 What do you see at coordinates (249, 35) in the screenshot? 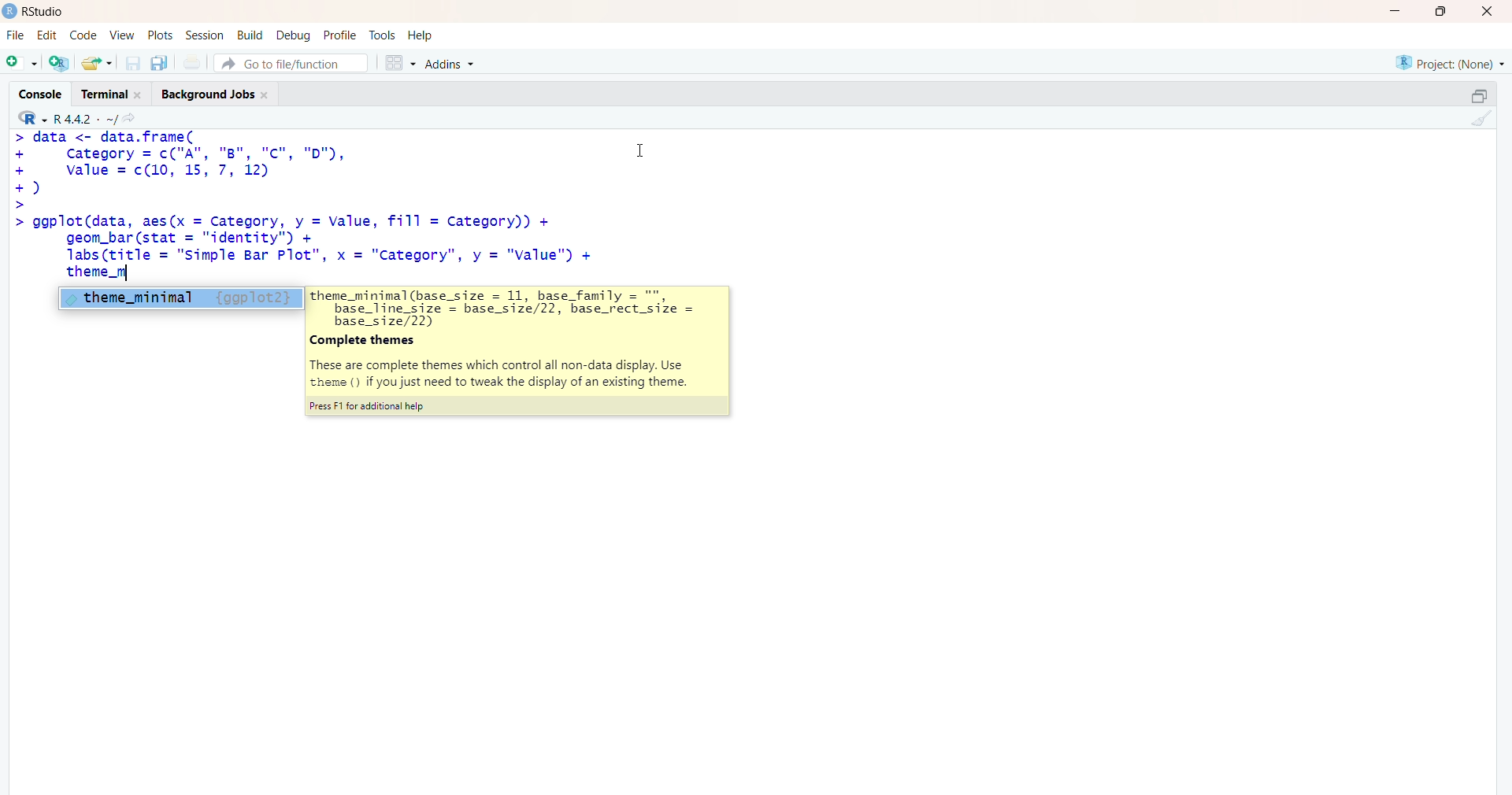
I see `build` at bounding box center [249, 35].